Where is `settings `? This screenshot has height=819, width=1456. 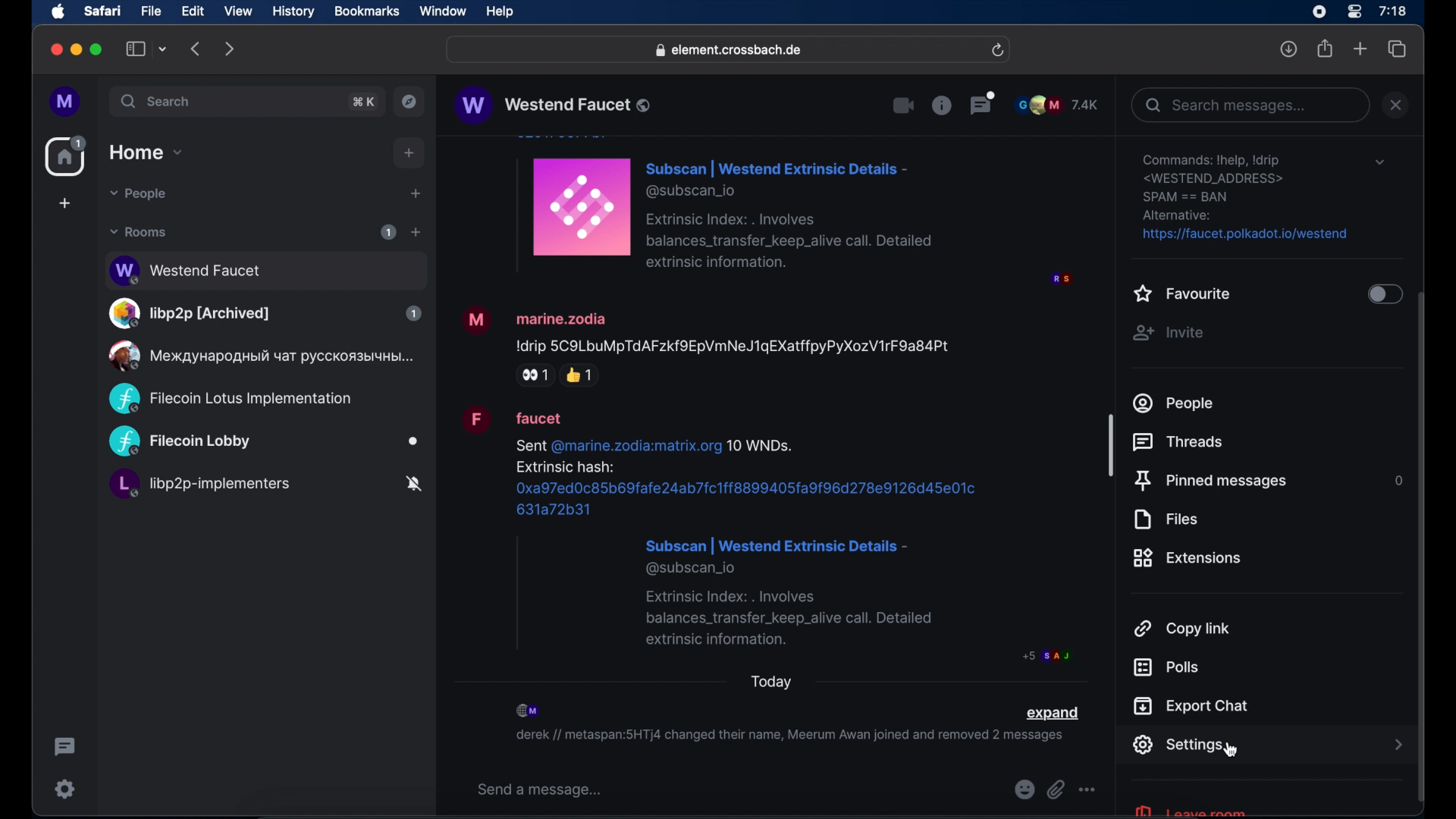 settings  is located at coordinates (1247, 198).